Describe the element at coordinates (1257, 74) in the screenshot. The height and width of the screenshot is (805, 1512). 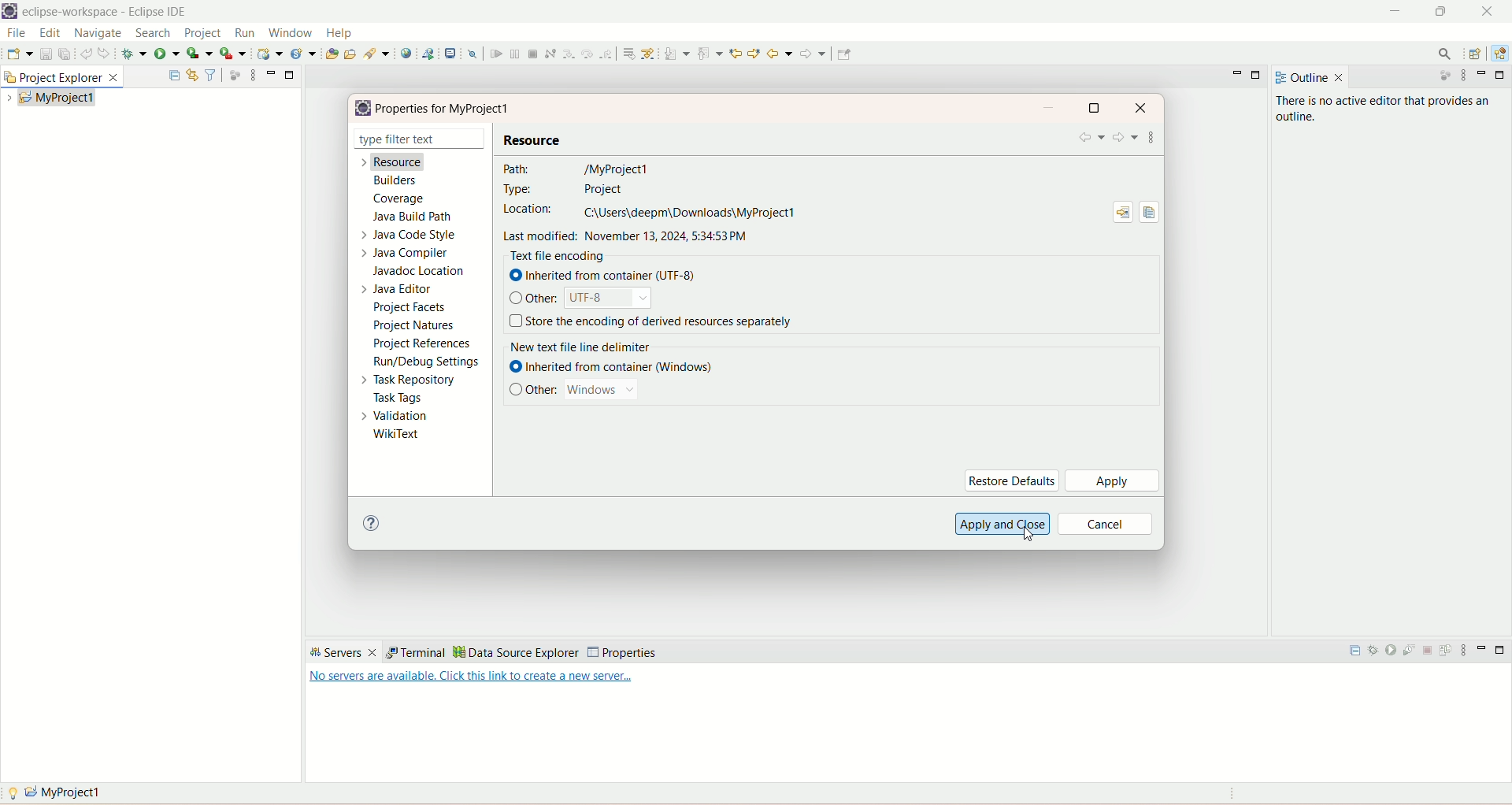
I see `maximize` at that location.